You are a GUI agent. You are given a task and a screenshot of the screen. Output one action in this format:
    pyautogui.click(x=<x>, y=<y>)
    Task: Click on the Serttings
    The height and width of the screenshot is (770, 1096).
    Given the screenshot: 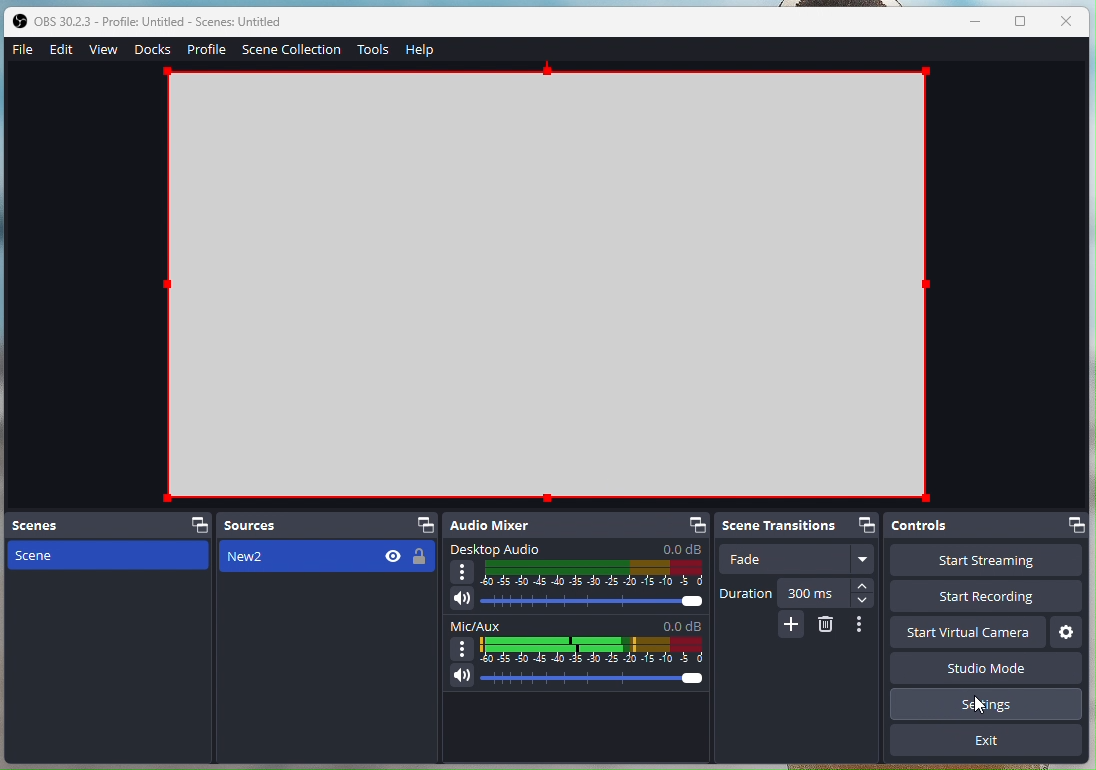 What is the action you would take?
    pyautogui.click(x=993, y=703)
    